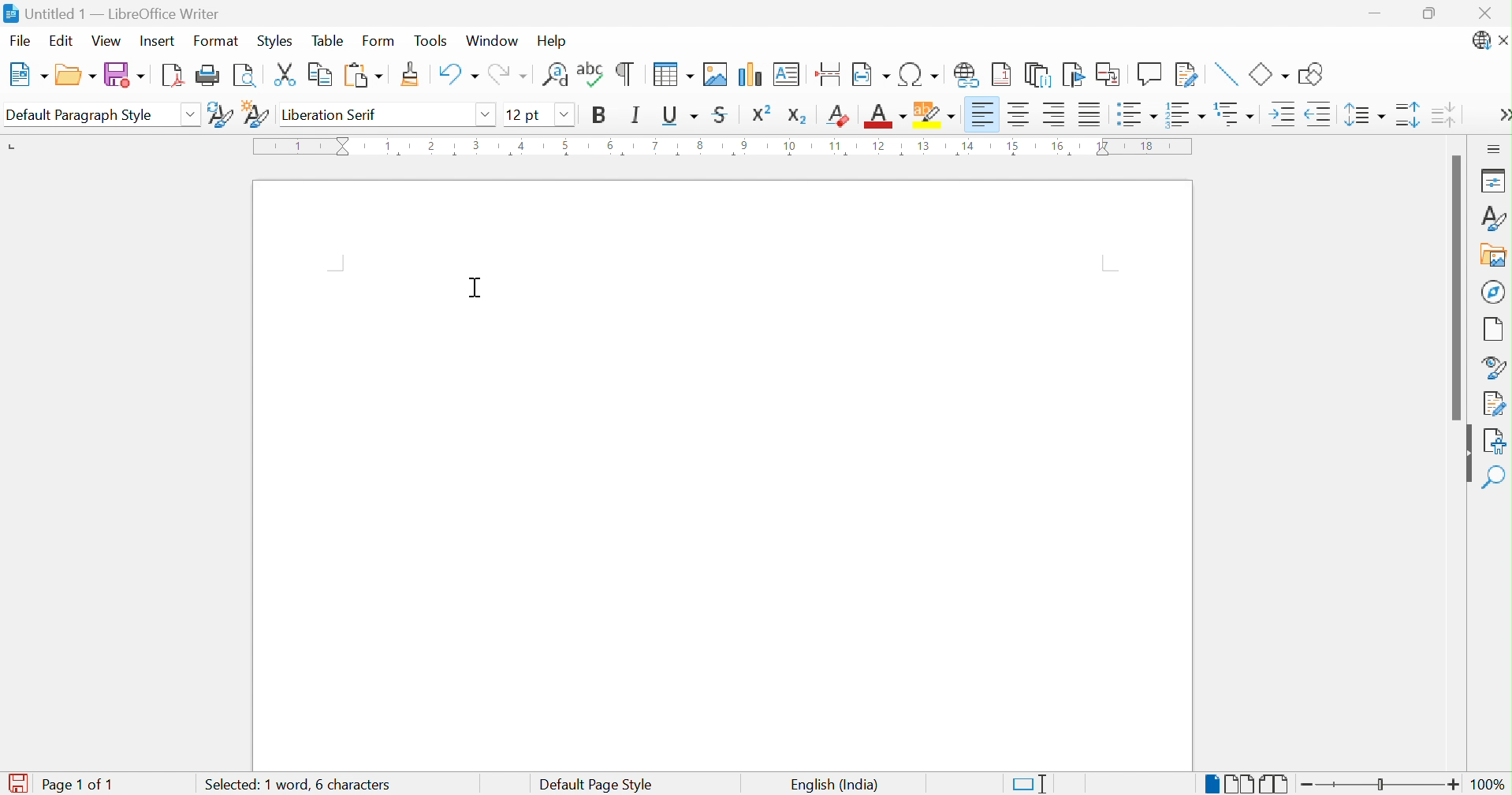 Image resolution: width=1512 pixels, height=795 pixels. What do you see at coordinates (1495, 291) in the screenshot?
I see `Navigator` at bounding box center [1495, 291].